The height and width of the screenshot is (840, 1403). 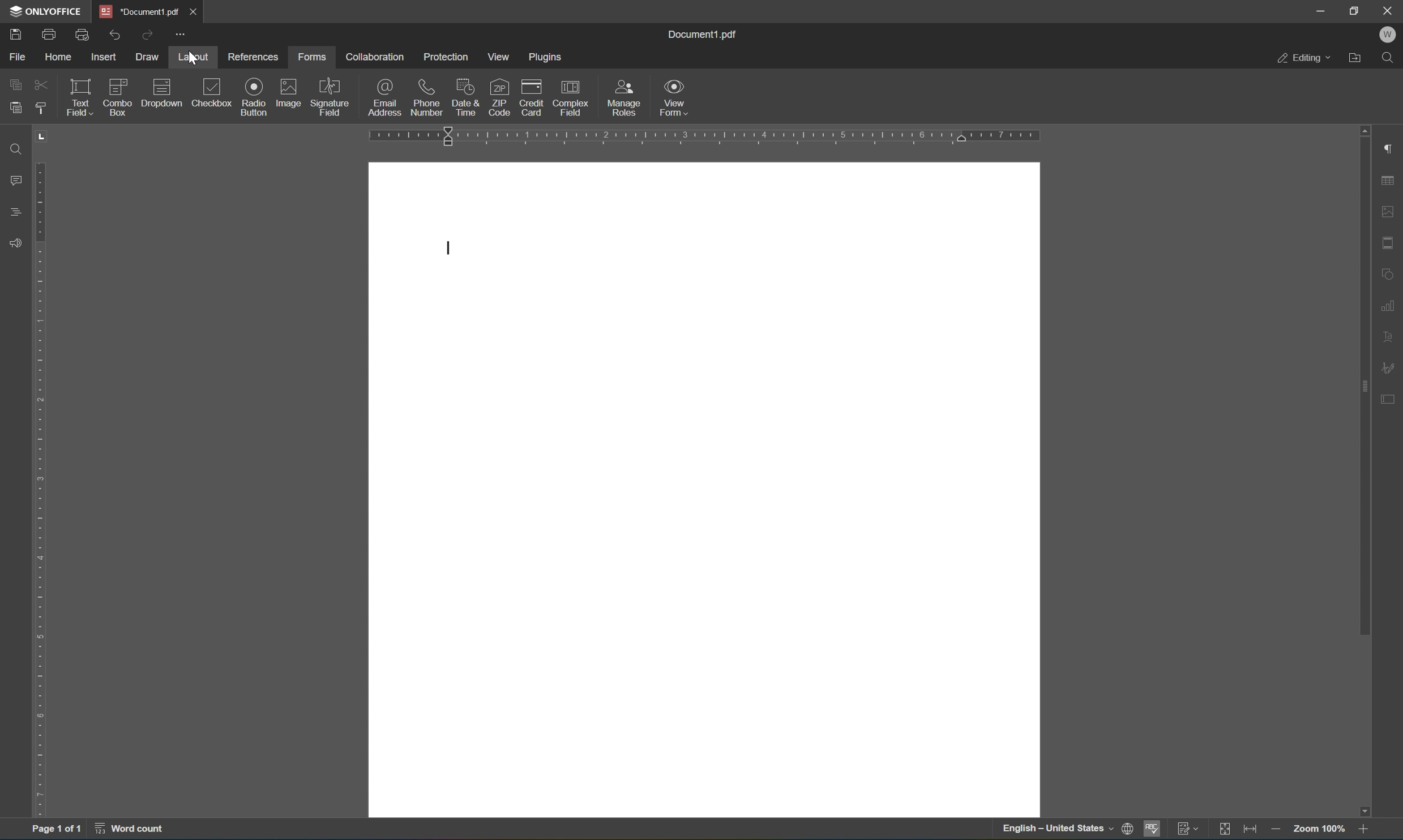 I want to click on forms, so click(x=311, y=54).